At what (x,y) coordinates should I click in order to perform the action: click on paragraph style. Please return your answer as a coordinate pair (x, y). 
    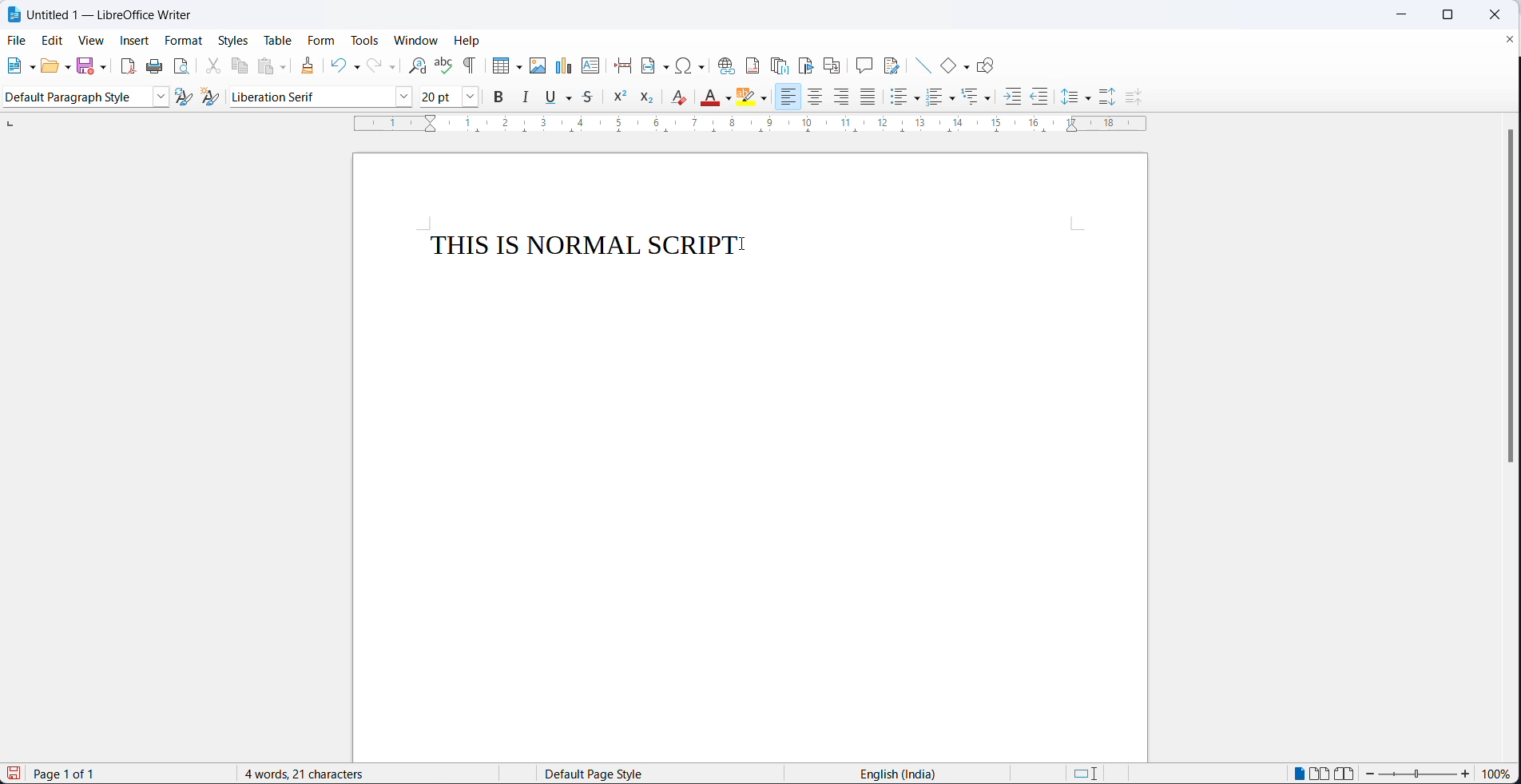
    Looking at the image, I should click on (163, 97).